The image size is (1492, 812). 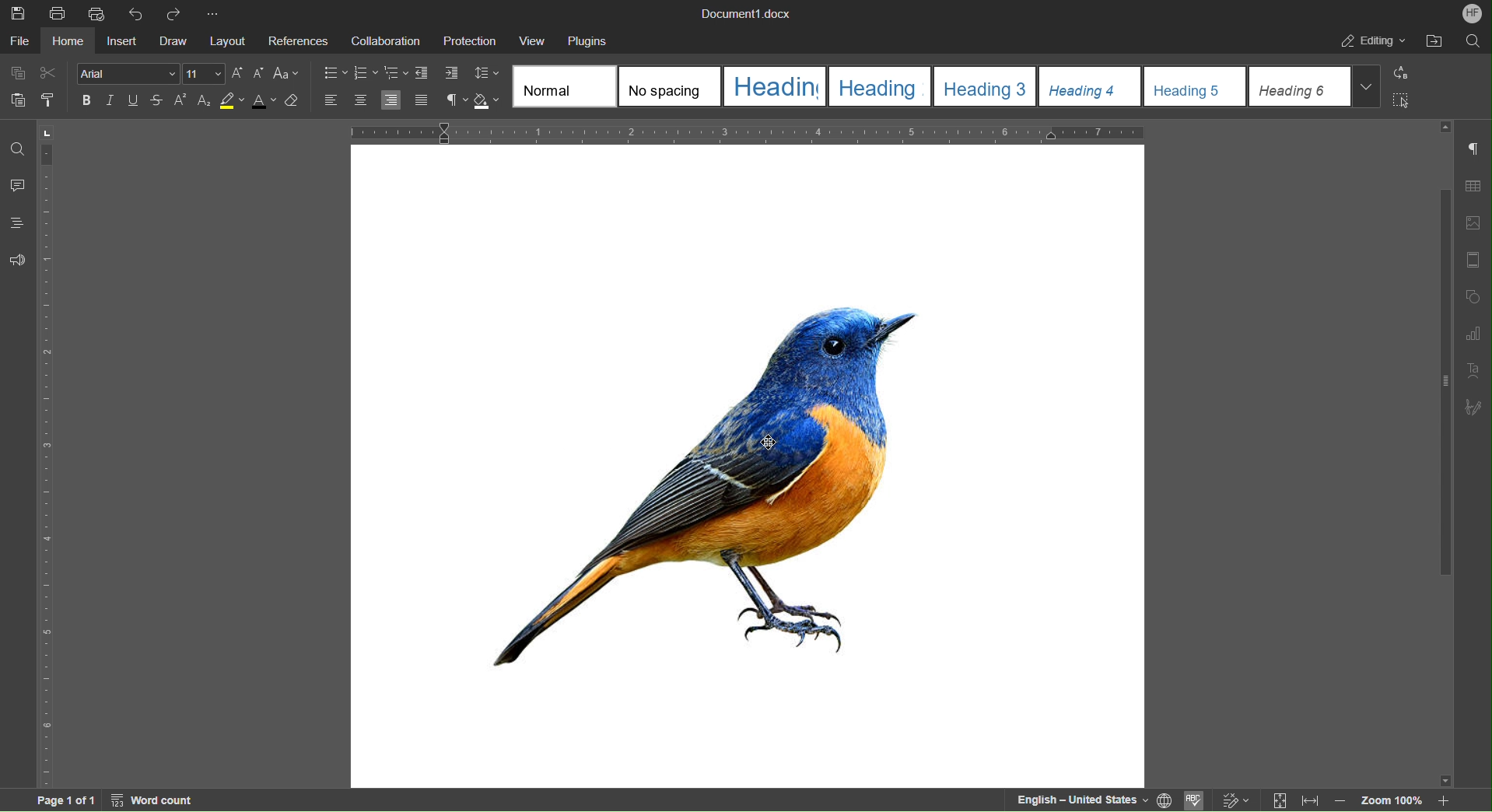 I want to click on Print, so click(x=58, y=12).